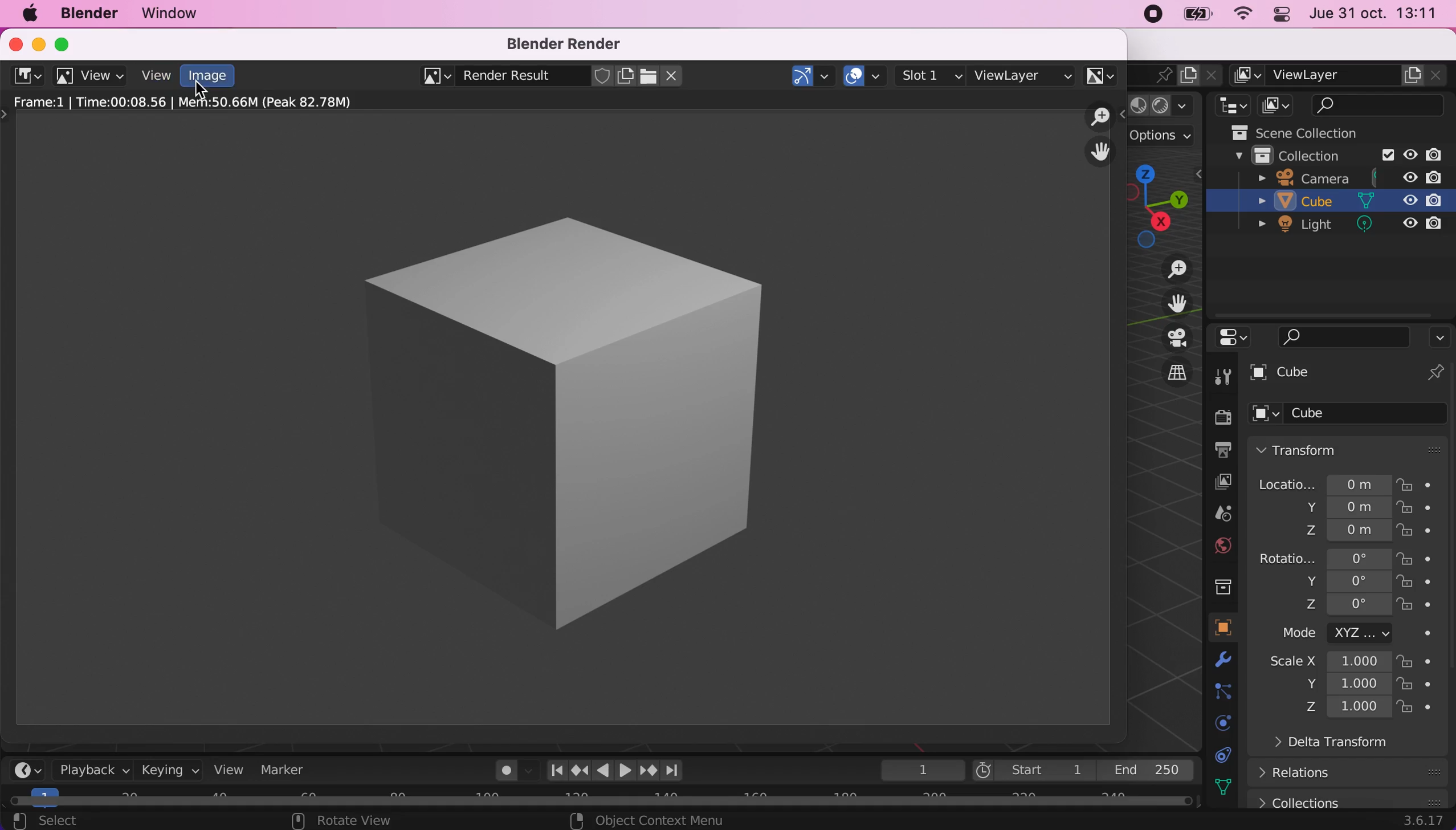  I want to click on location y, so click(1325, 507).